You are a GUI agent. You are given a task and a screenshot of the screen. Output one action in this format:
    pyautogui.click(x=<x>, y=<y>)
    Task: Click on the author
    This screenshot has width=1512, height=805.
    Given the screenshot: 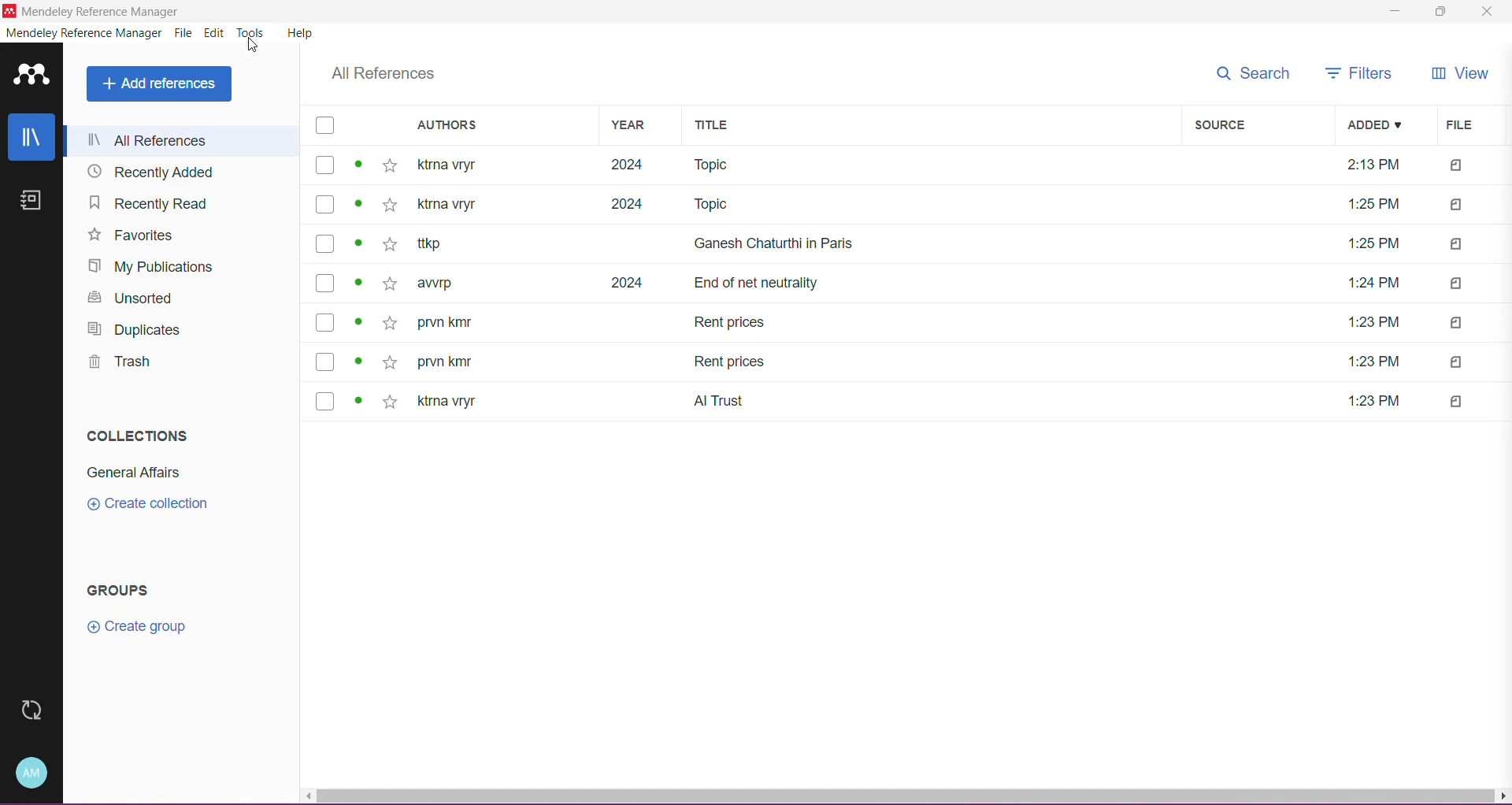 What is the action you would take?
    pyautogui.click(x=445, y=363)
    